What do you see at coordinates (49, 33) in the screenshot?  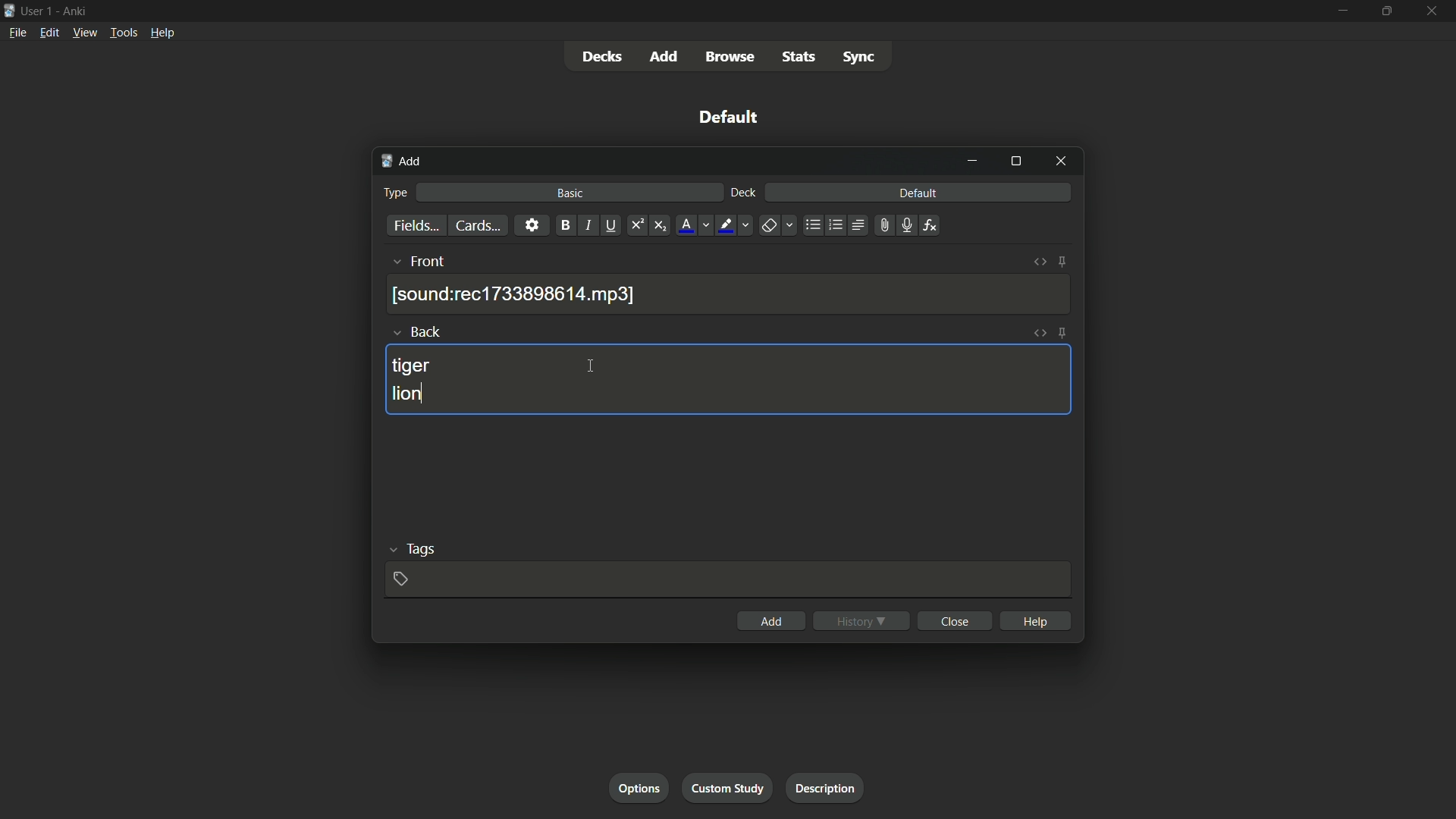 I see `edit menu` at bounding box center [49, 33].